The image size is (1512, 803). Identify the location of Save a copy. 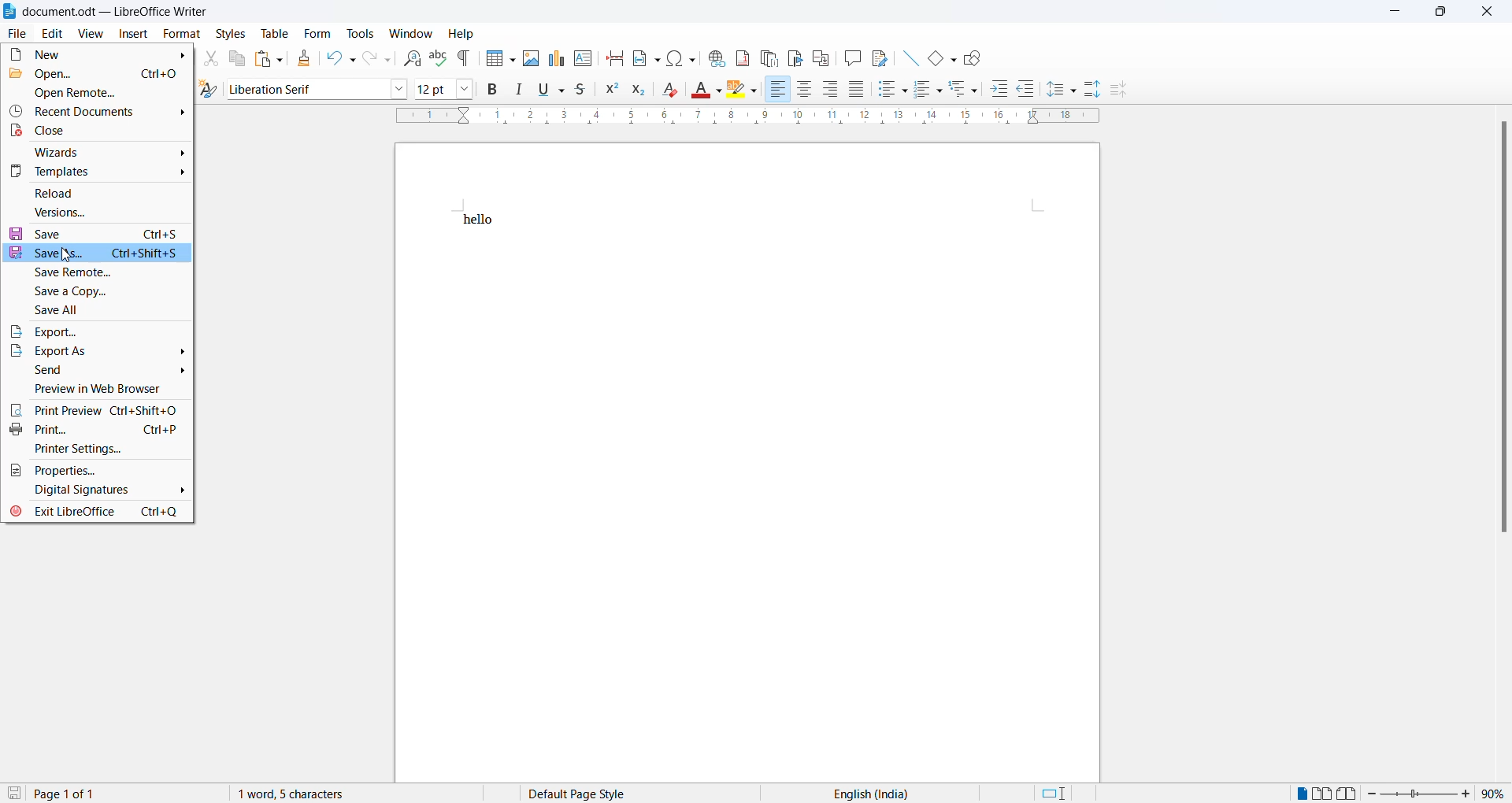
(96, 291).